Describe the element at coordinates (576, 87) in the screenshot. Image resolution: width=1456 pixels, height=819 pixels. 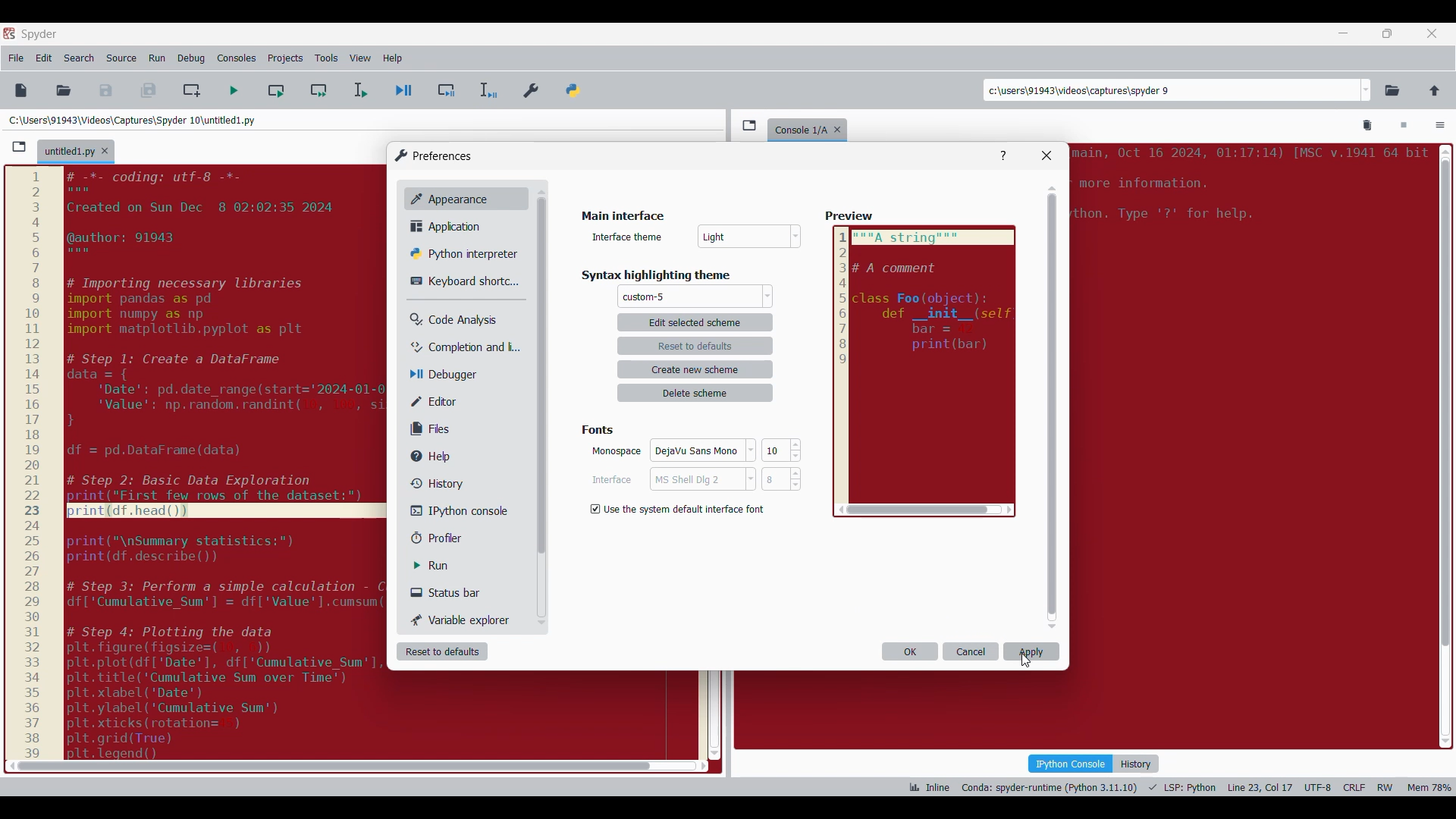
I see `PYTHONPATH manager` at that location.